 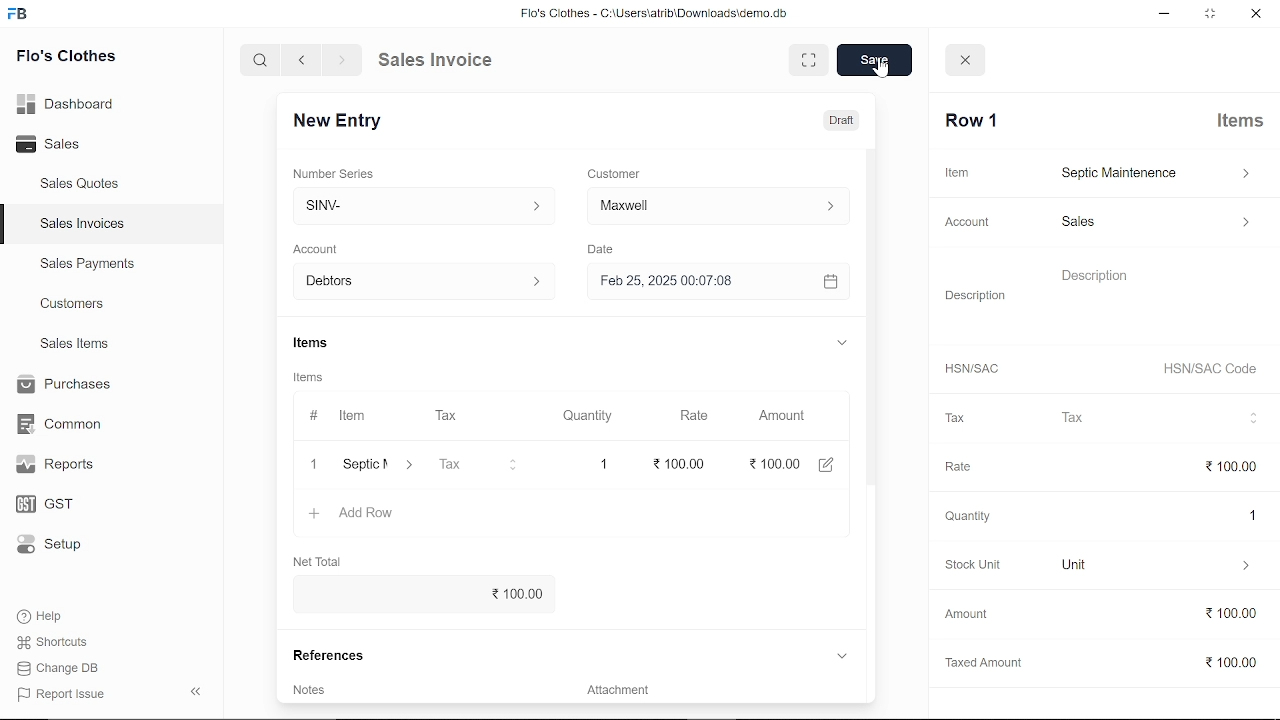 What do you see at coordinates (67, 107) in the screenshot?
I see `Dashboard` at bounding box center [67, 107].